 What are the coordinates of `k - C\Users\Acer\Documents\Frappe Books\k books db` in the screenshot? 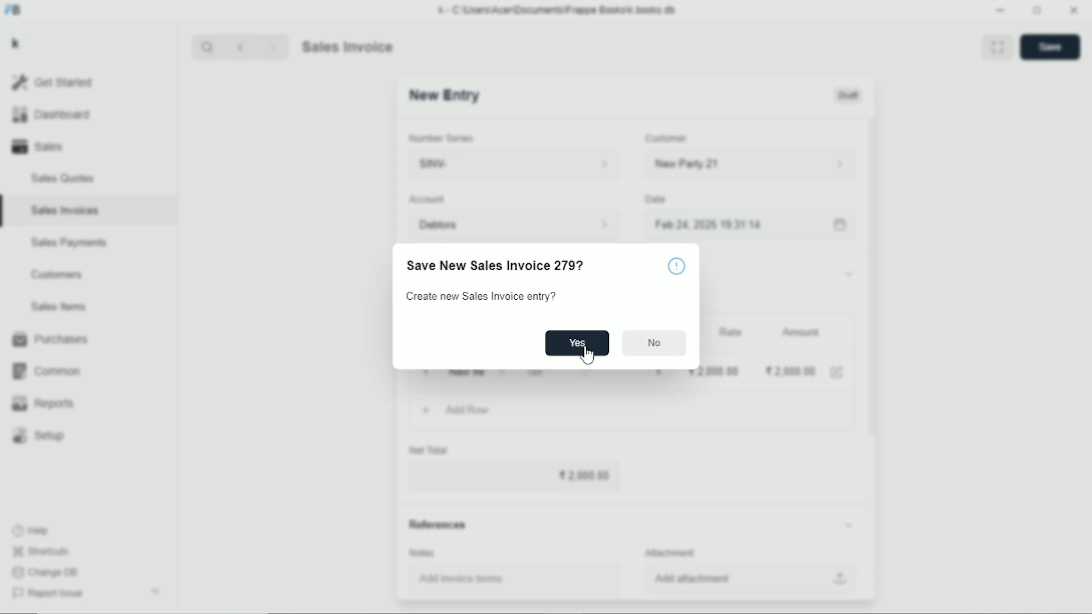 It's located at (559, 9).